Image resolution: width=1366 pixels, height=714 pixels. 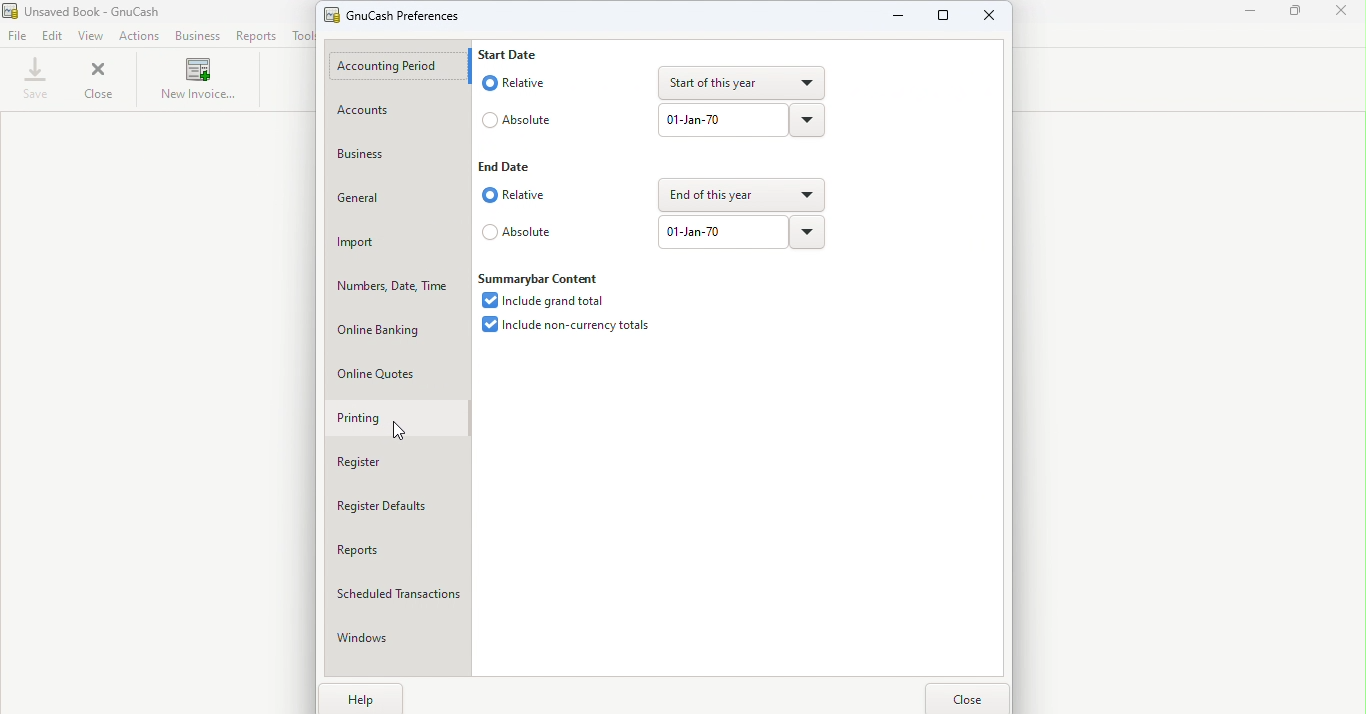 I want to click on Start of this year, so click(x=744, y=83).